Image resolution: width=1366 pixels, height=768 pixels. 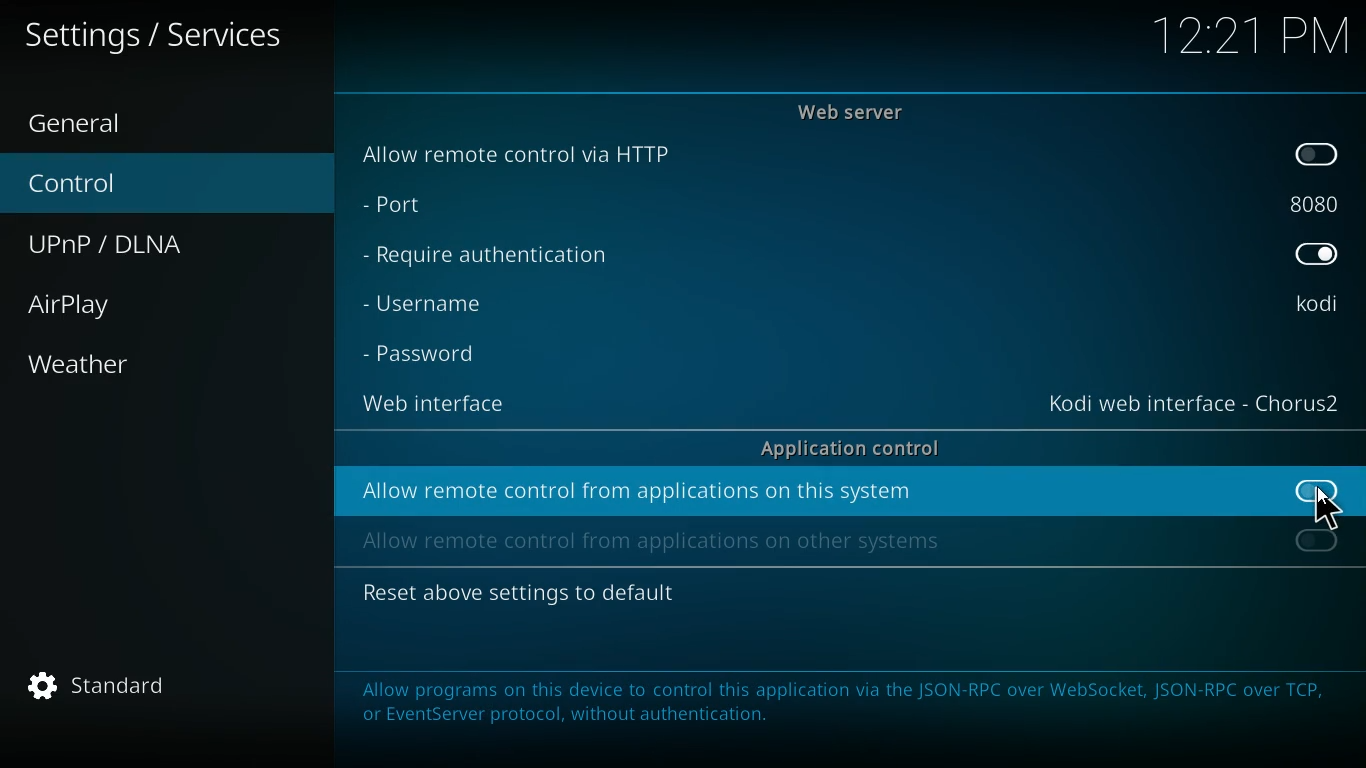 What do you see at coordinates (162, 186) in the screenshot?
I see `control` at bounding box center [162, 186].